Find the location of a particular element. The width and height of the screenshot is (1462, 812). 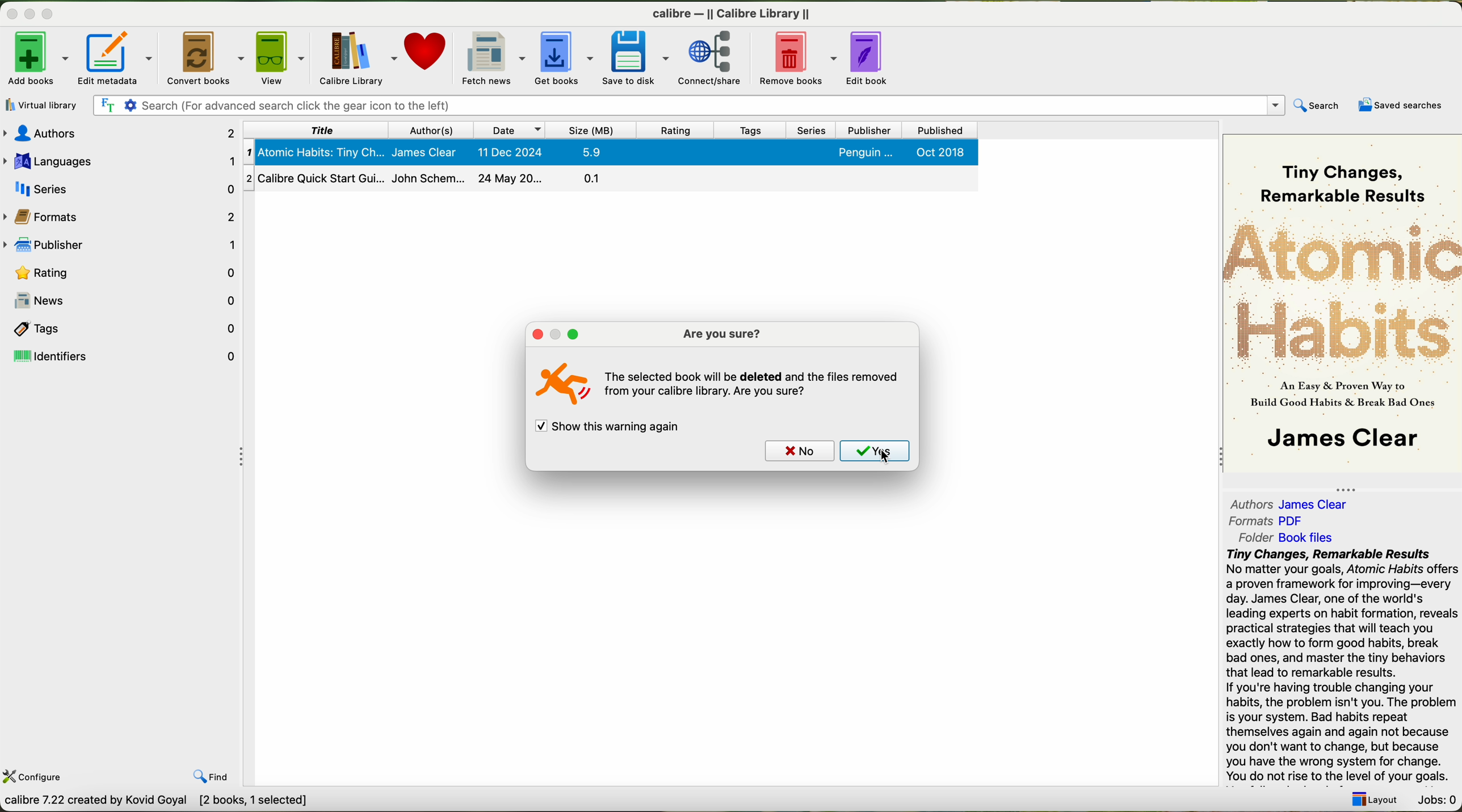

series is located at coordinates (121, 187).